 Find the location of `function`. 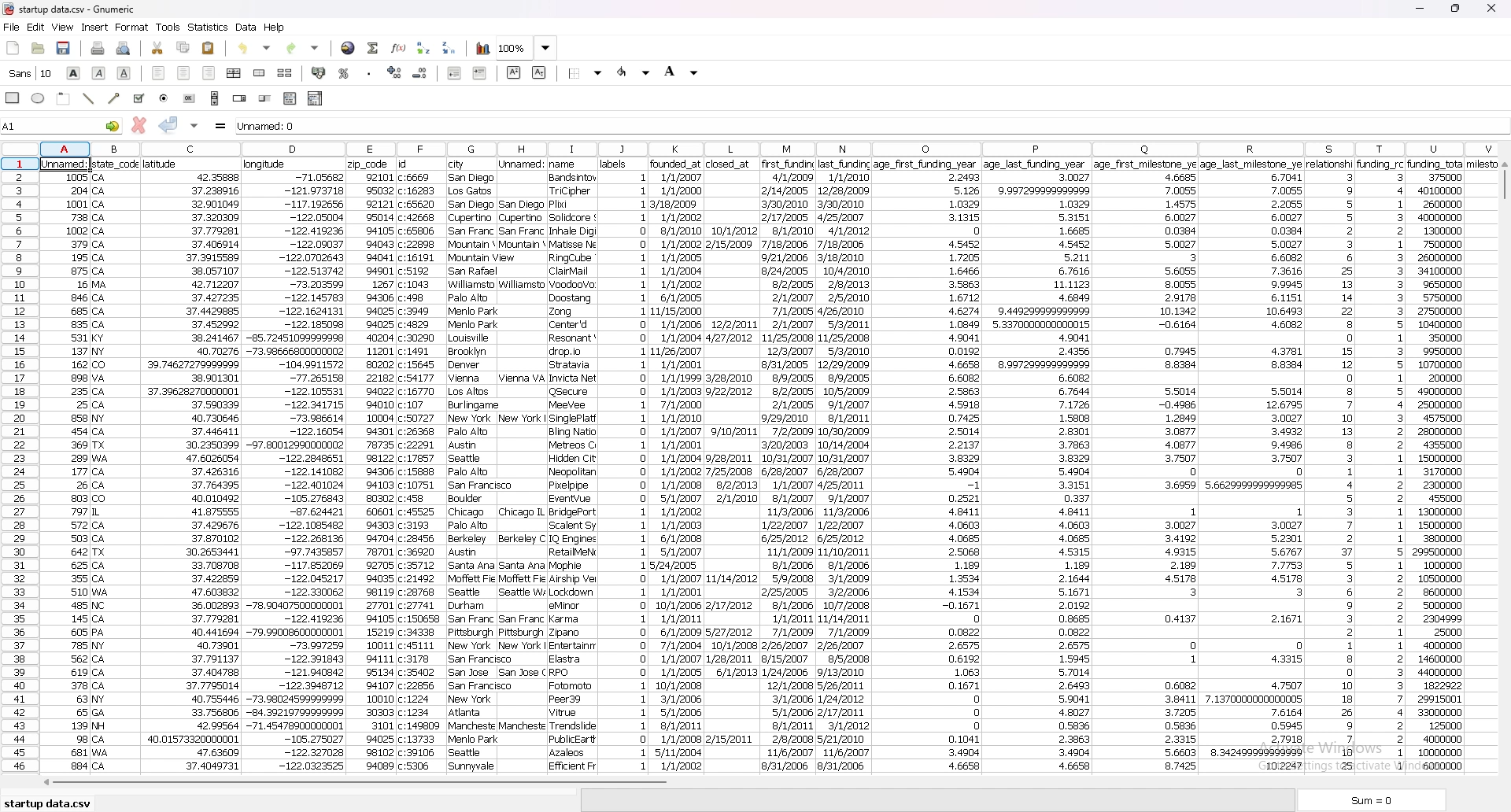

function is located at coordinates (400, 48).